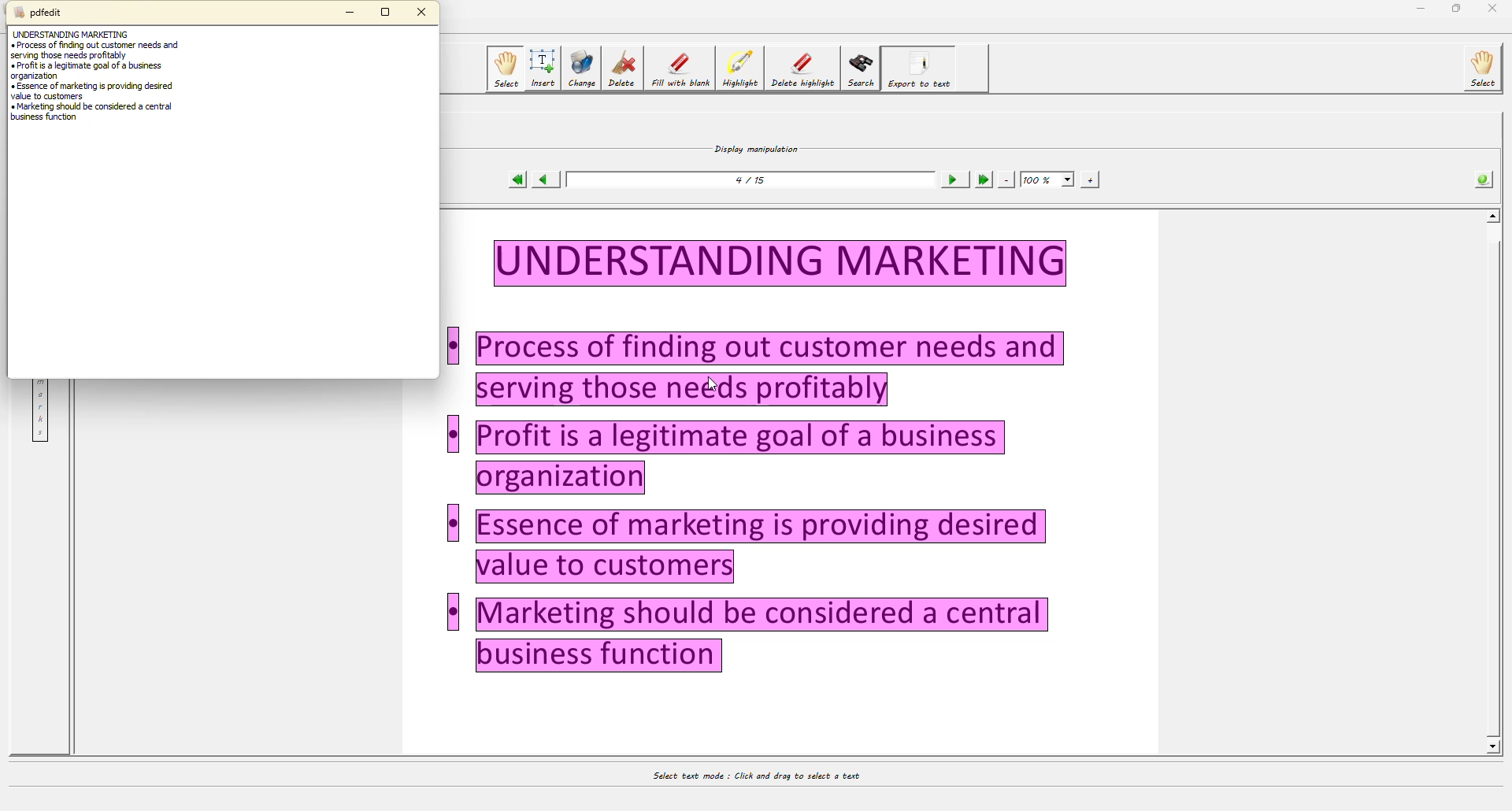  Describe the element at coordinates (1495, 11) in the screenshot. I see `` at that location.